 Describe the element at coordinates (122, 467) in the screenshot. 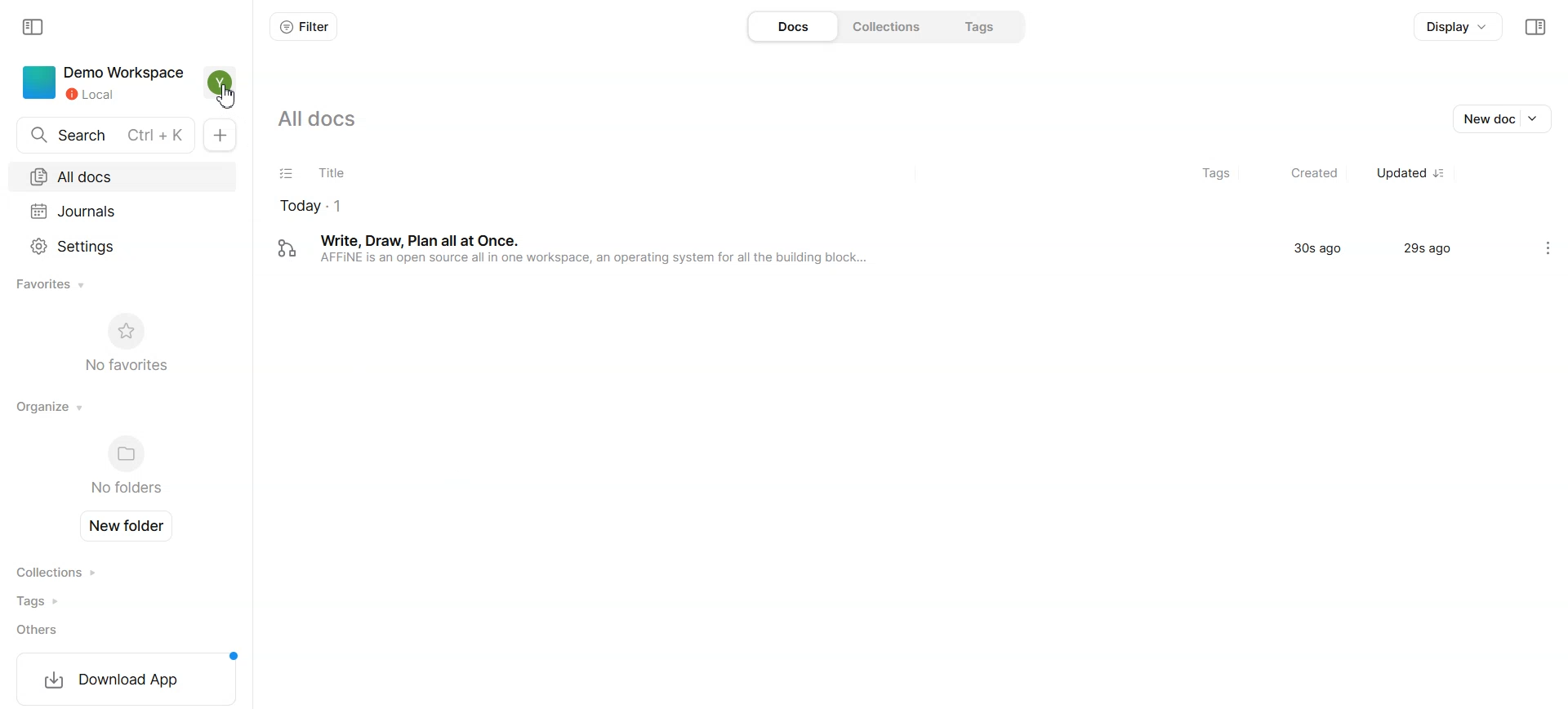

I see `no folders` at that location.